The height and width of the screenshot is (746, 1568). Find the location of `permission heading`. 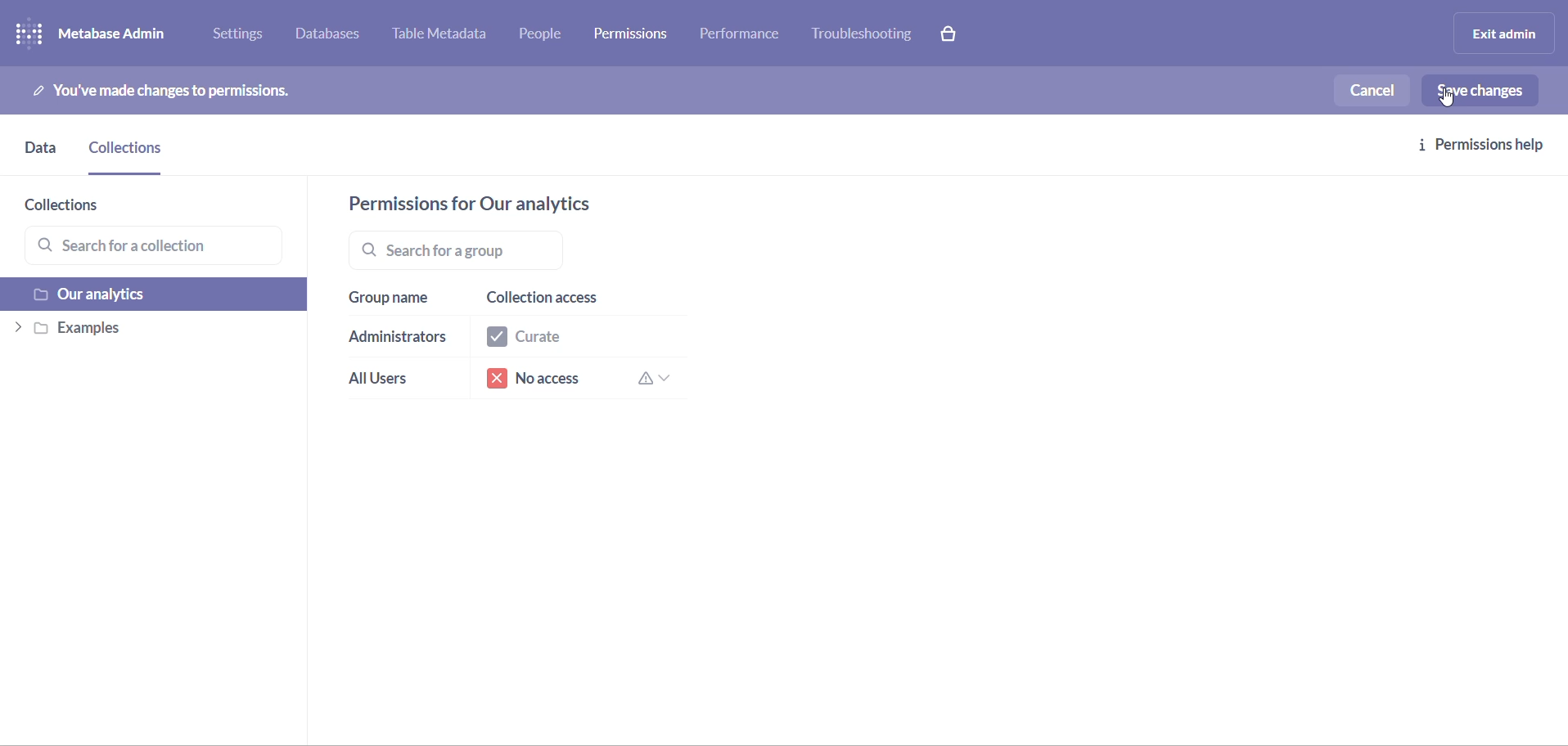

permission heading is located at coordinates (513, 204).